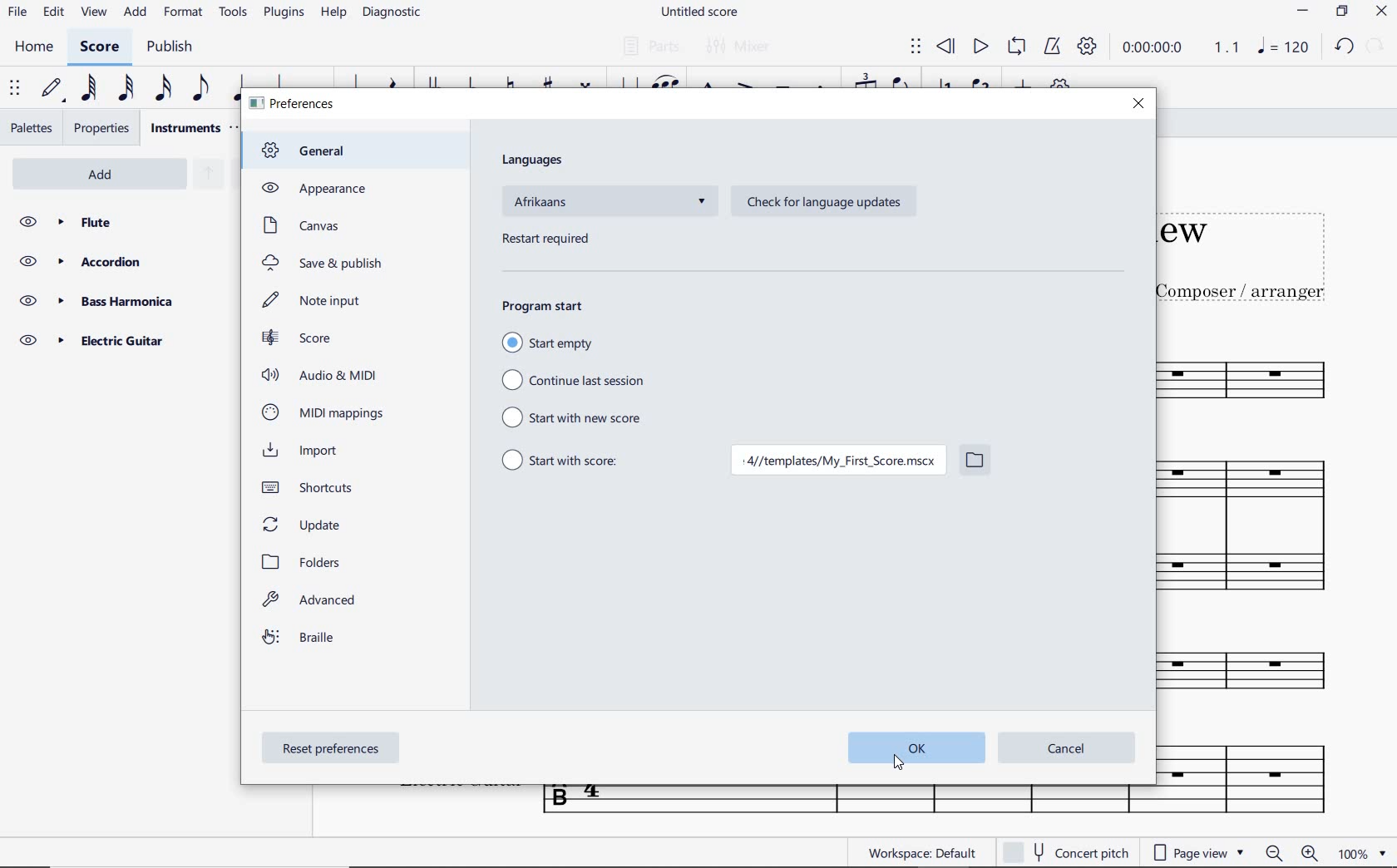  What do you see at coordinates (1284, 49) in the screenshot?
I see `NOTE` at bounding box center [1284, 49].